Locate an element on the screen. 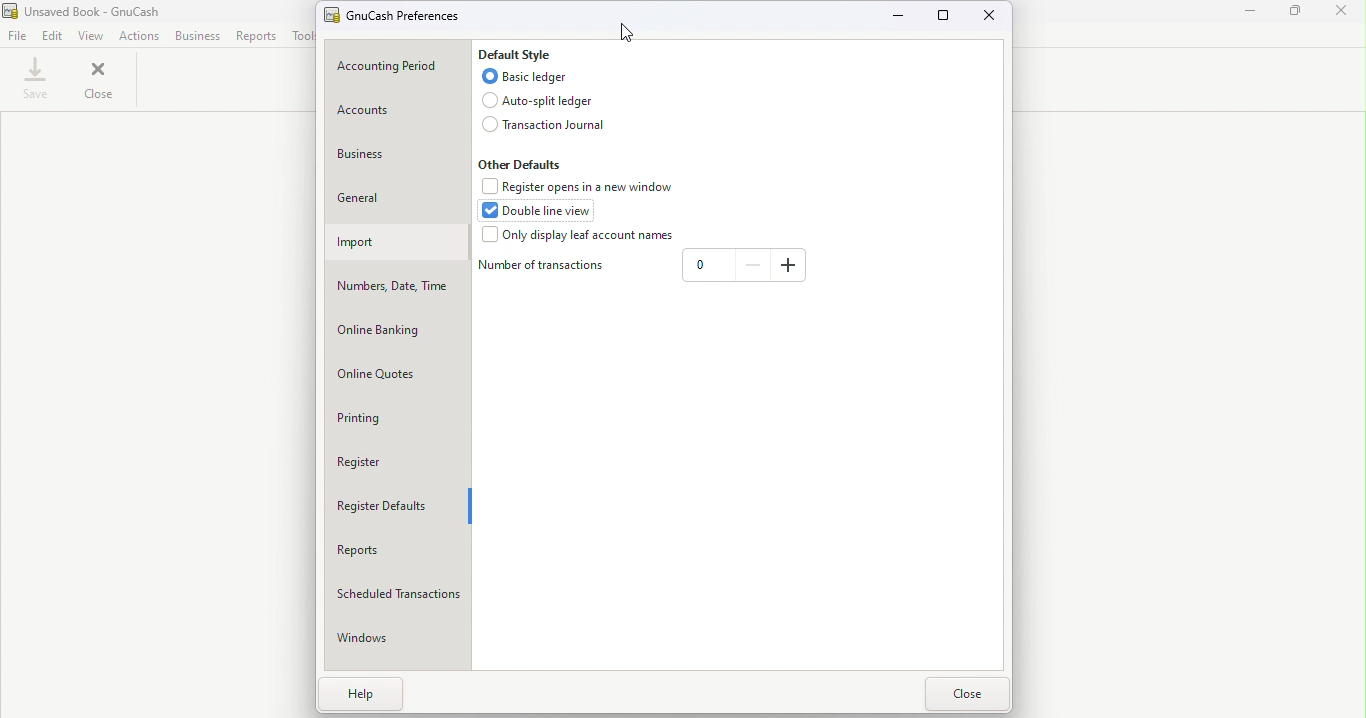 This screenshot has width=1366, height=718. General is located at coordinates (390, 194).